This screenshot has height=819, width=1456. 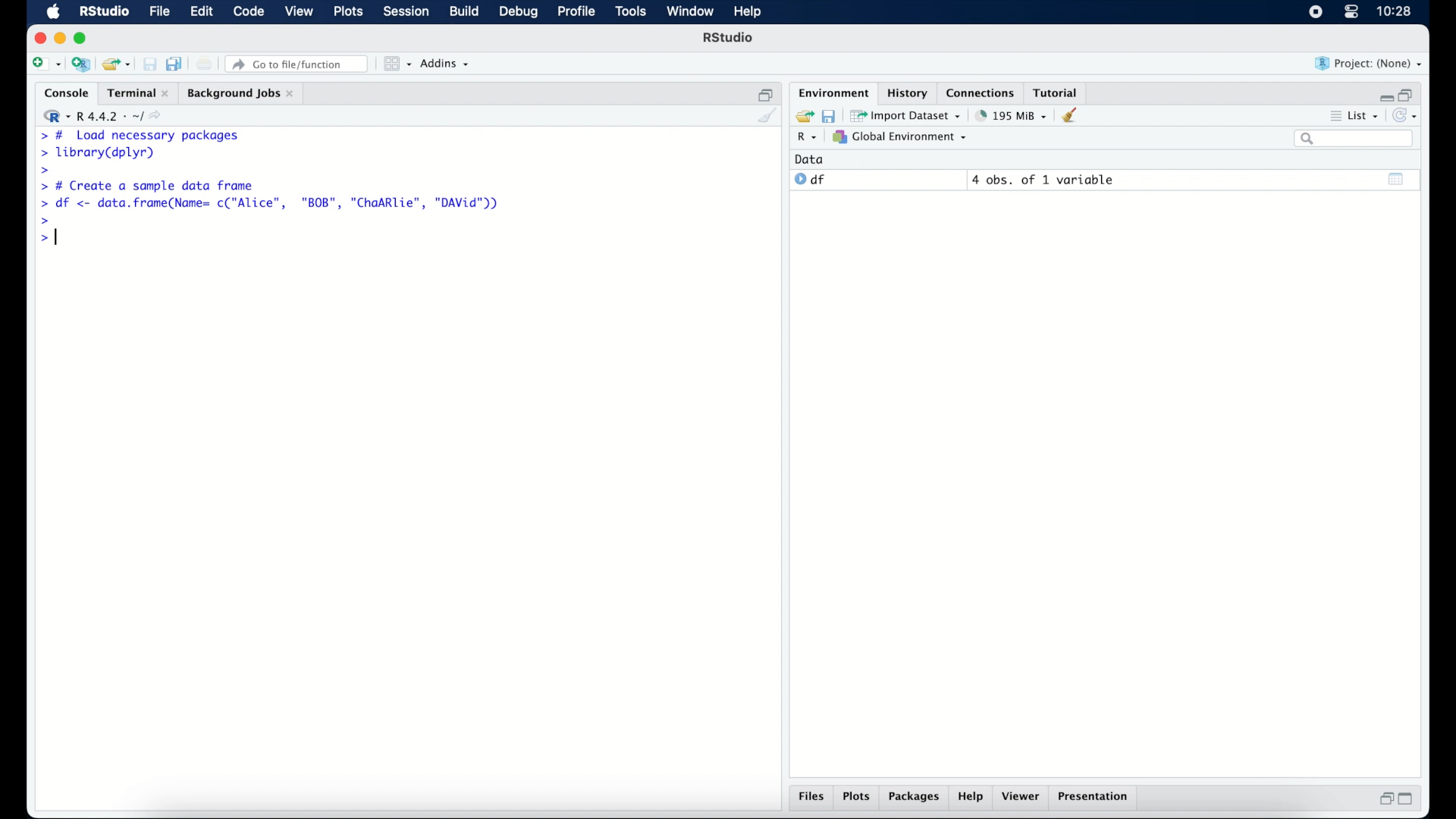 What do you see at coordinates (1046, 180) in the screenshot?
I see `4 obs, of 2 variables` at bounding box center [1046, 180].